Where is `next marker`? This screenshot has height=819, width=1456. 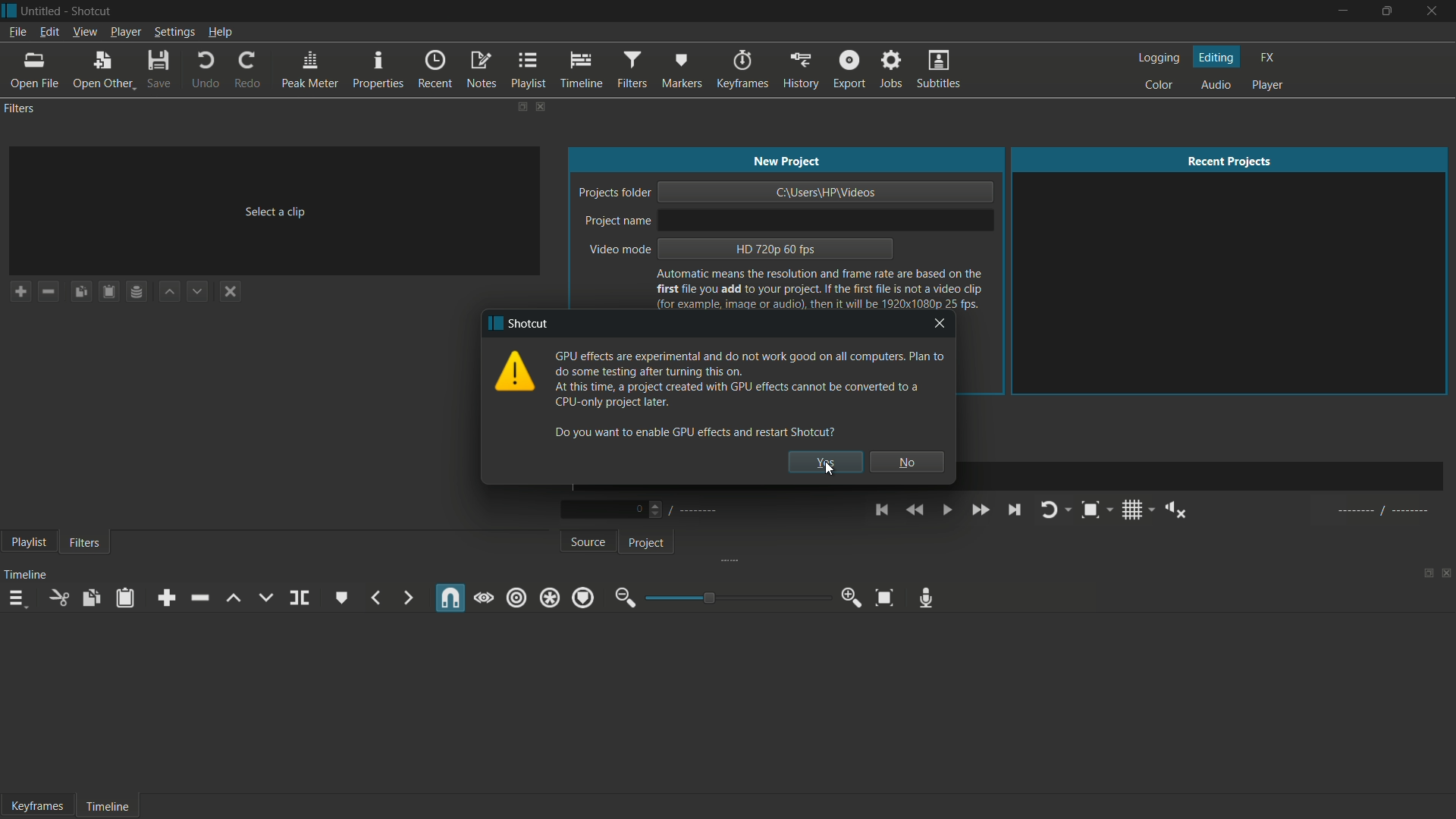 next marker is located at coordinates (406, 598).